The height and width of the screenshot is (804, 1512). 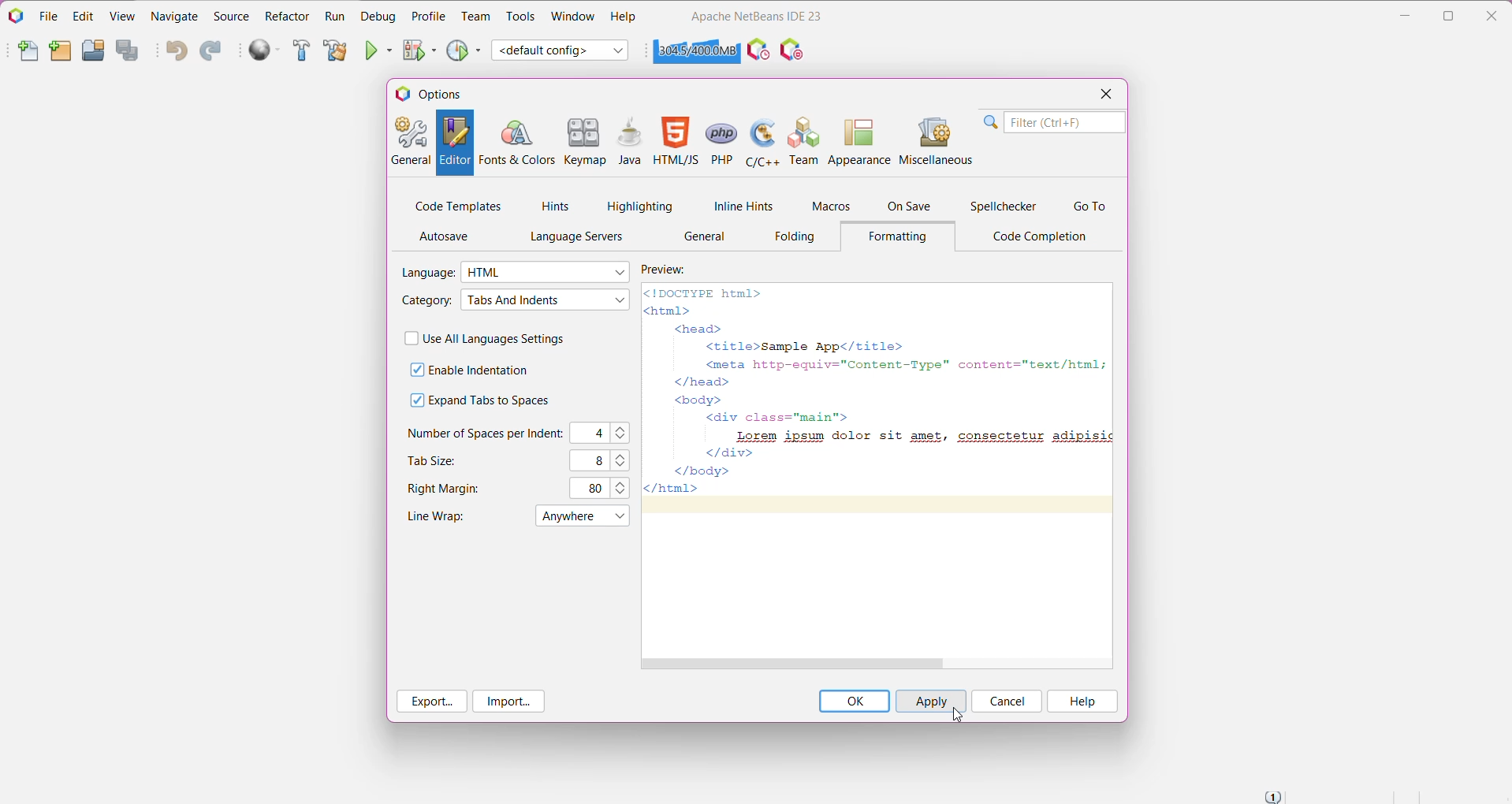 I want to click on AutoSave, so click(x=448, y=236).